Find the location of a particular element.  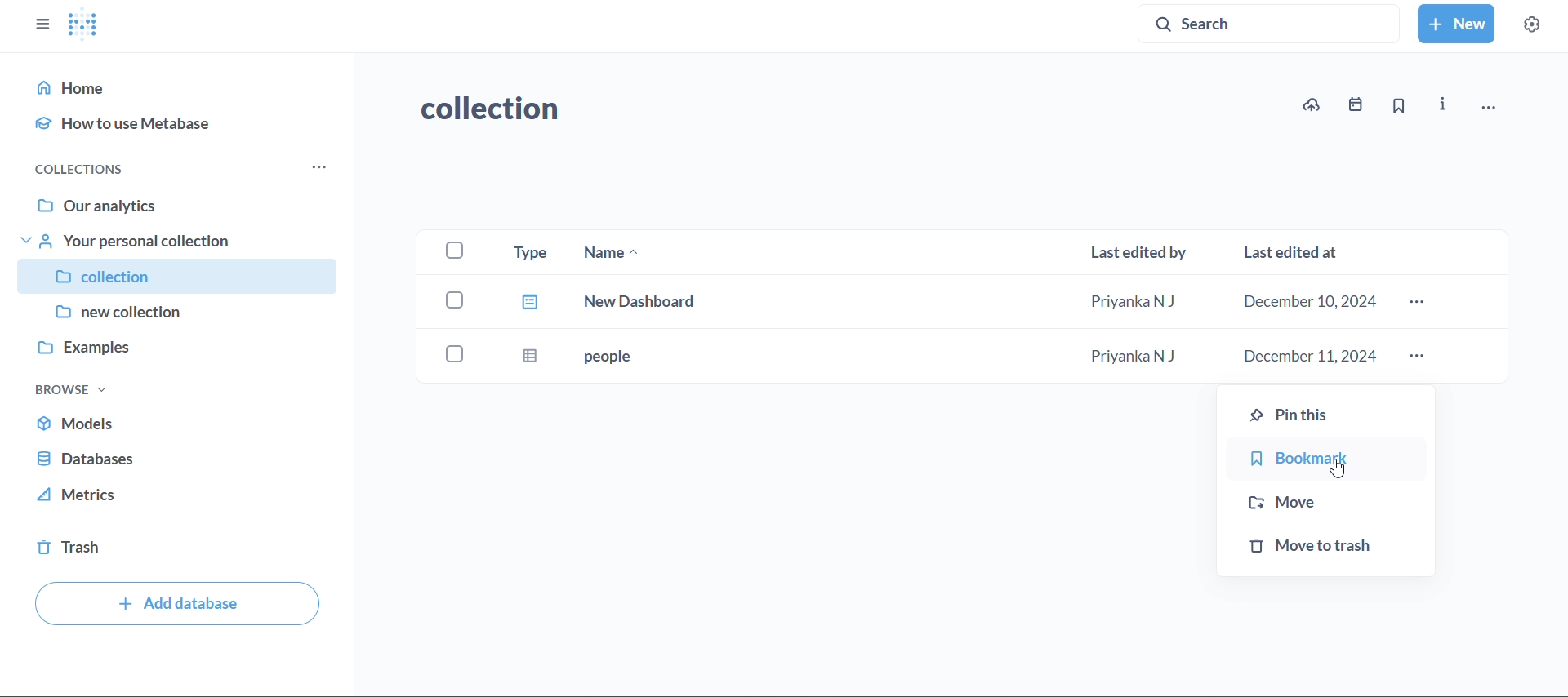

trash  is located at coordinates (180, 551).